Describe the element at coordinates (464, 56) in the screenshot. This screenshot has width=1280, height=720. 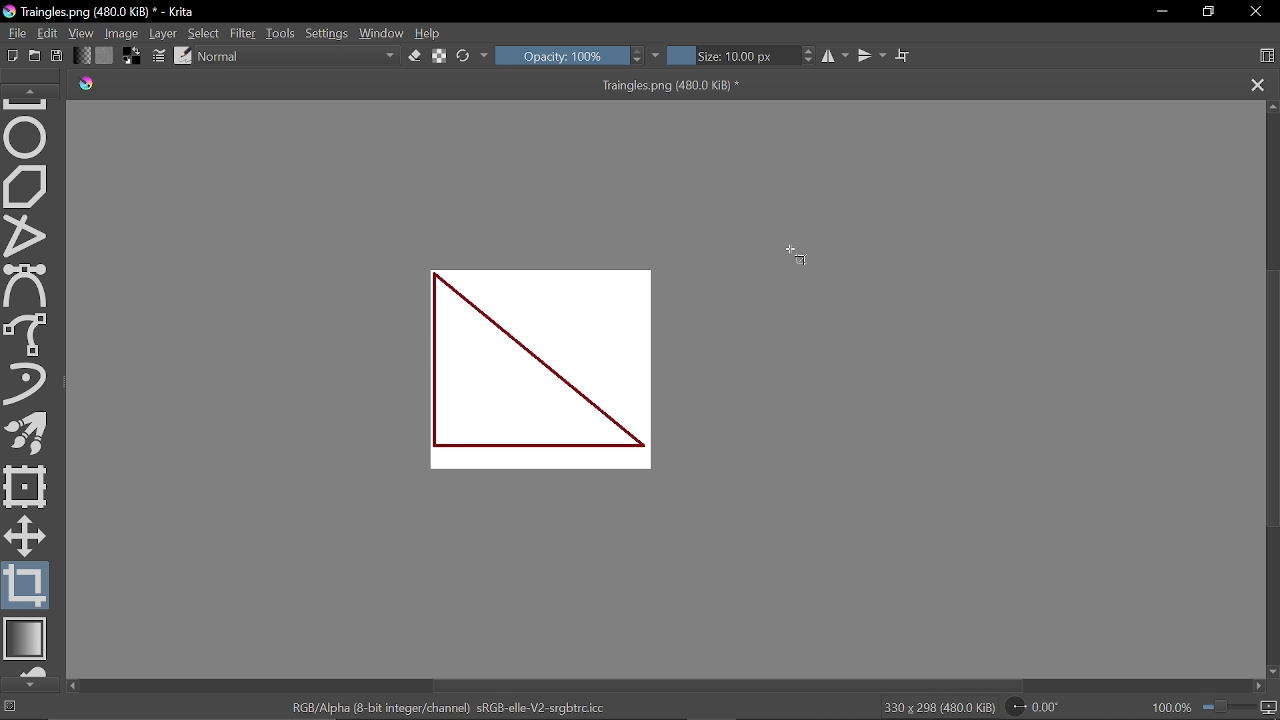
I see `Reload original preset` at that location.